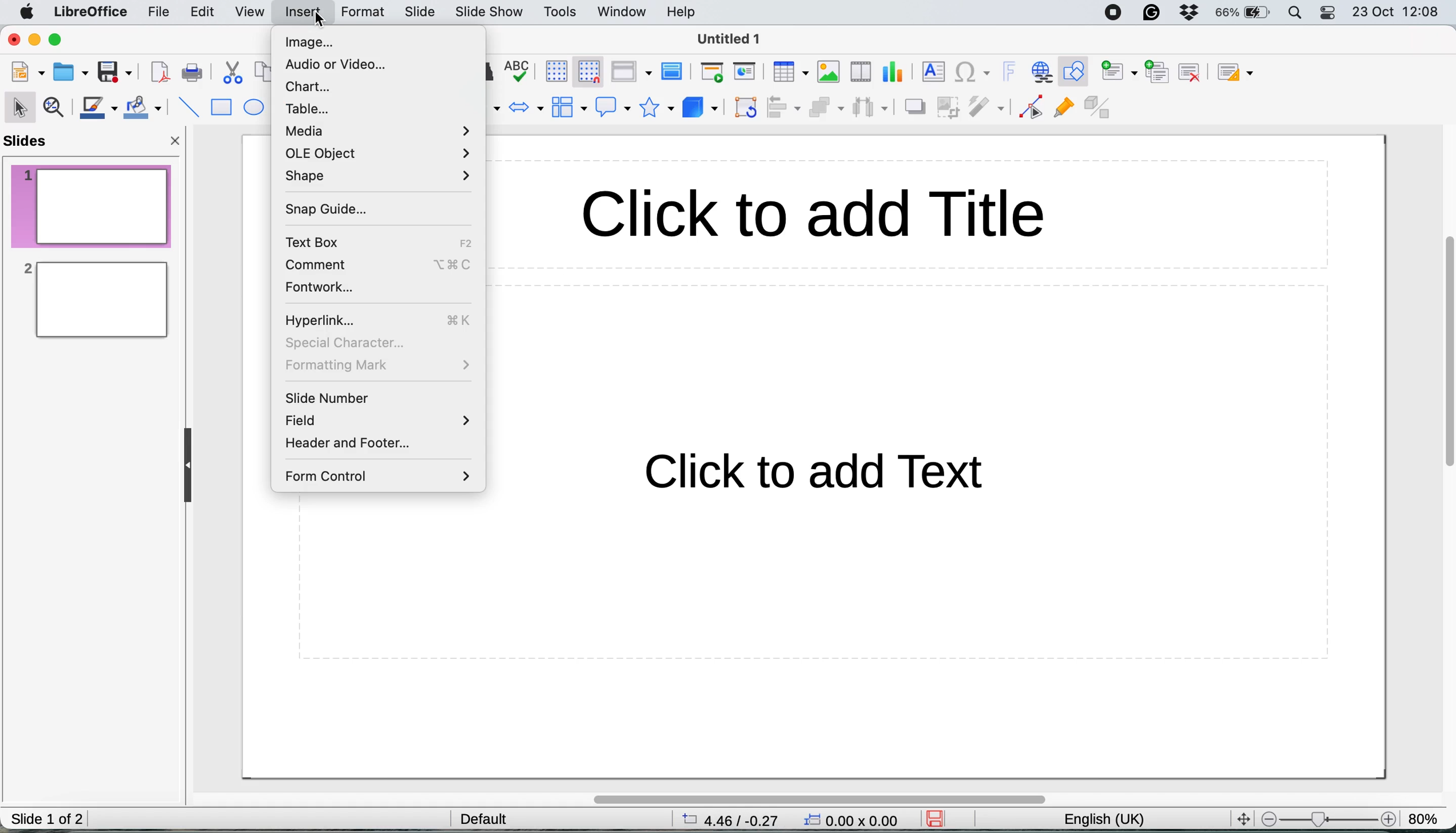 The height and width of the screenshot is (833, 1456). I want to click on start from first slide, so click(712, 73).